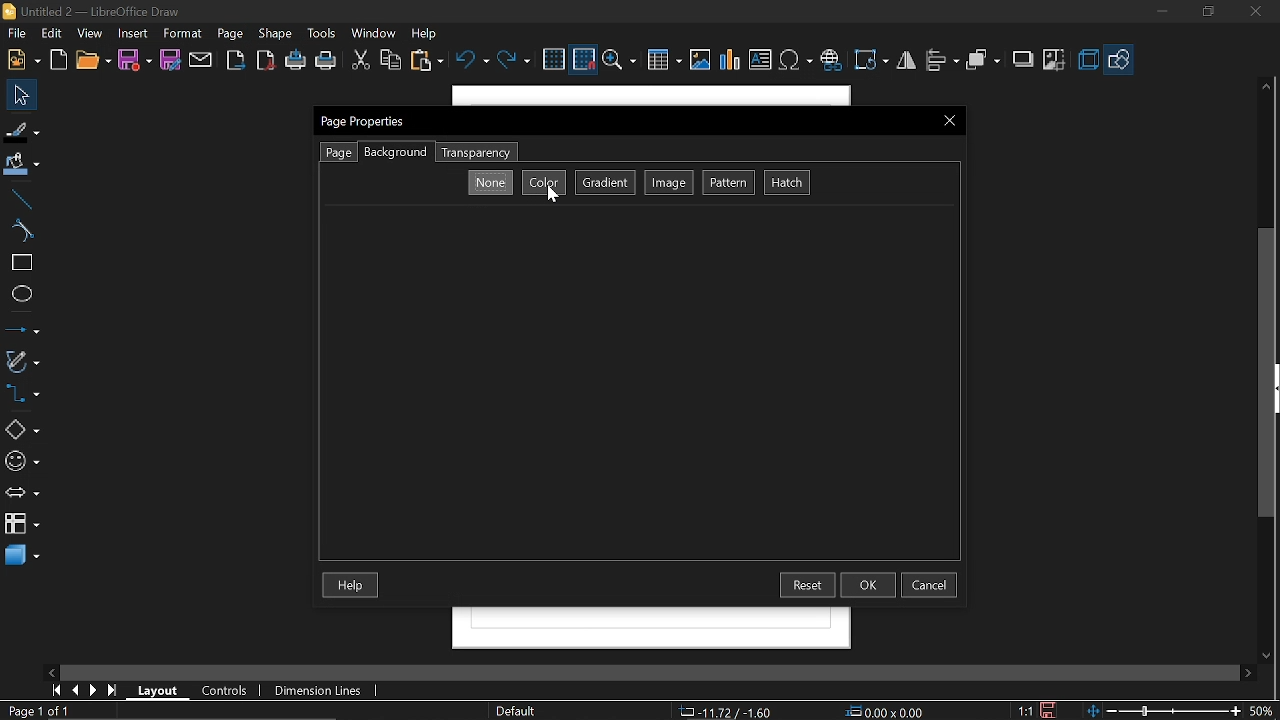  I want to click on Ok, so click(868, 585).